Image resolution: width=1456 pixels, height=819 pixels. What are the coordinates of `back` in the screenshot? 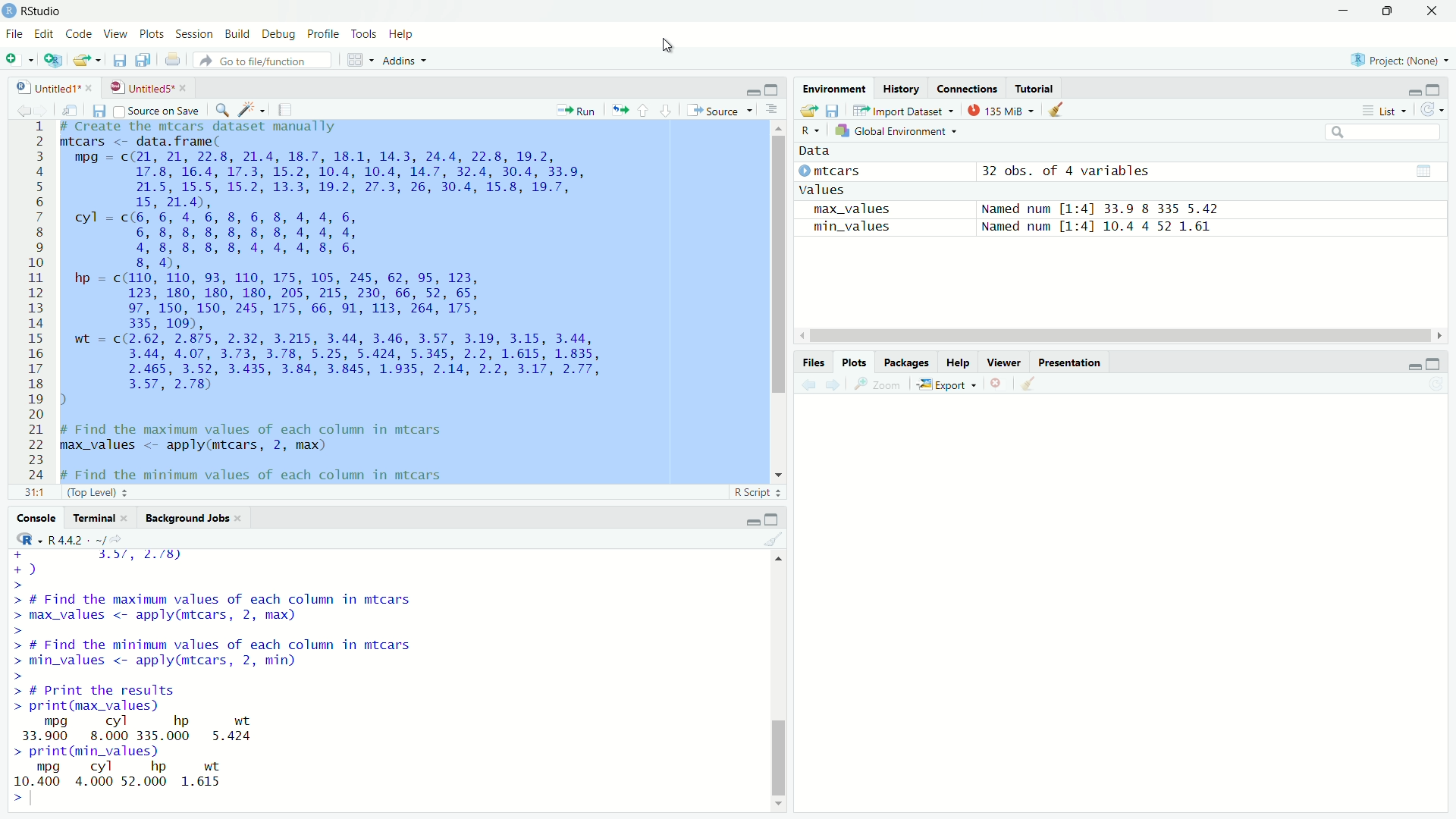 It's located at (23, 108).